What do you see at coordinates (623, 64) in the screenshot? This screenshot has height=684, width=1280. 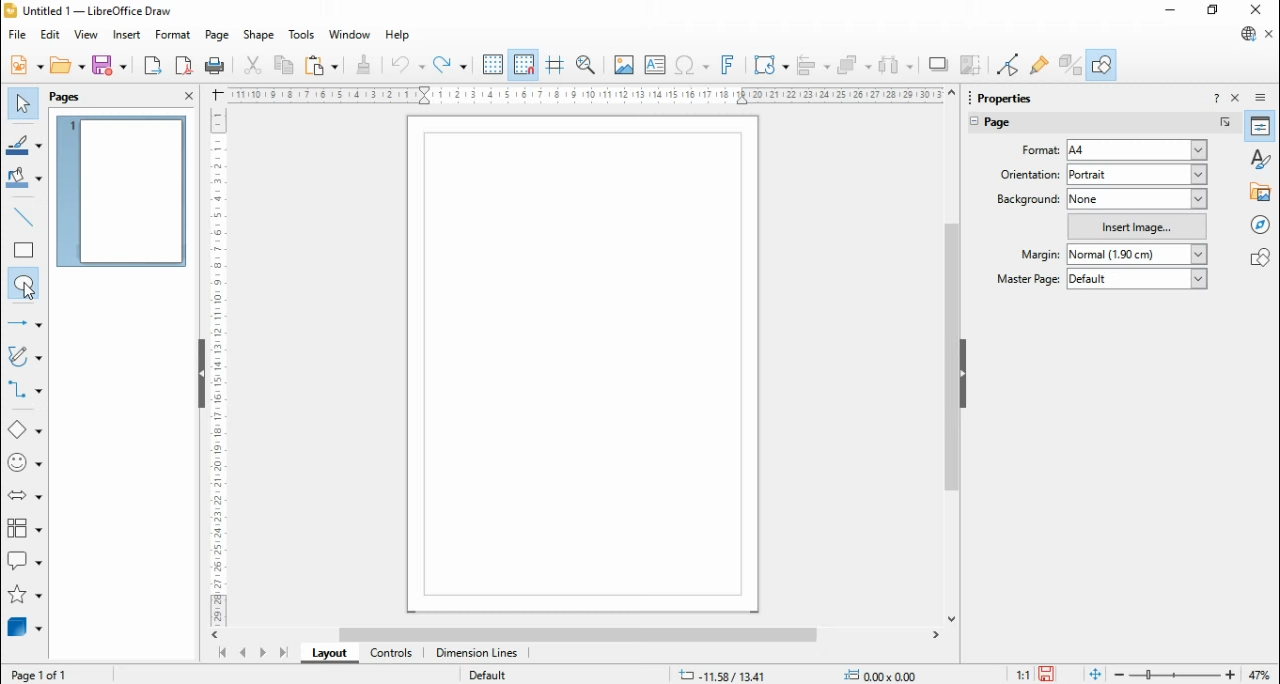 I see `insert image` at bounding box center [623, 64].